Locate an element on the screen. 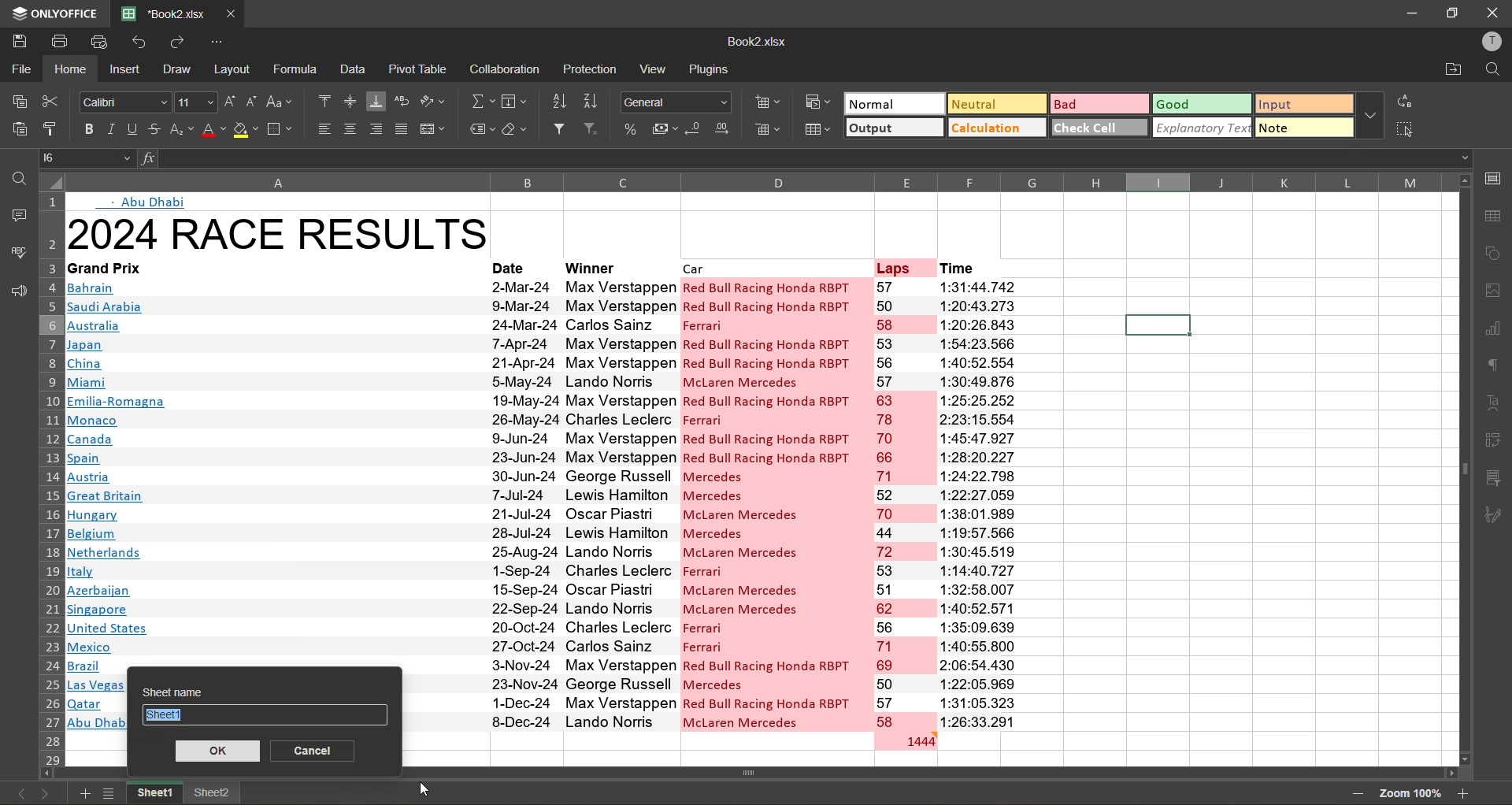 The image size is (1512, 805). sheet2 is located at coordinates (213, 792).